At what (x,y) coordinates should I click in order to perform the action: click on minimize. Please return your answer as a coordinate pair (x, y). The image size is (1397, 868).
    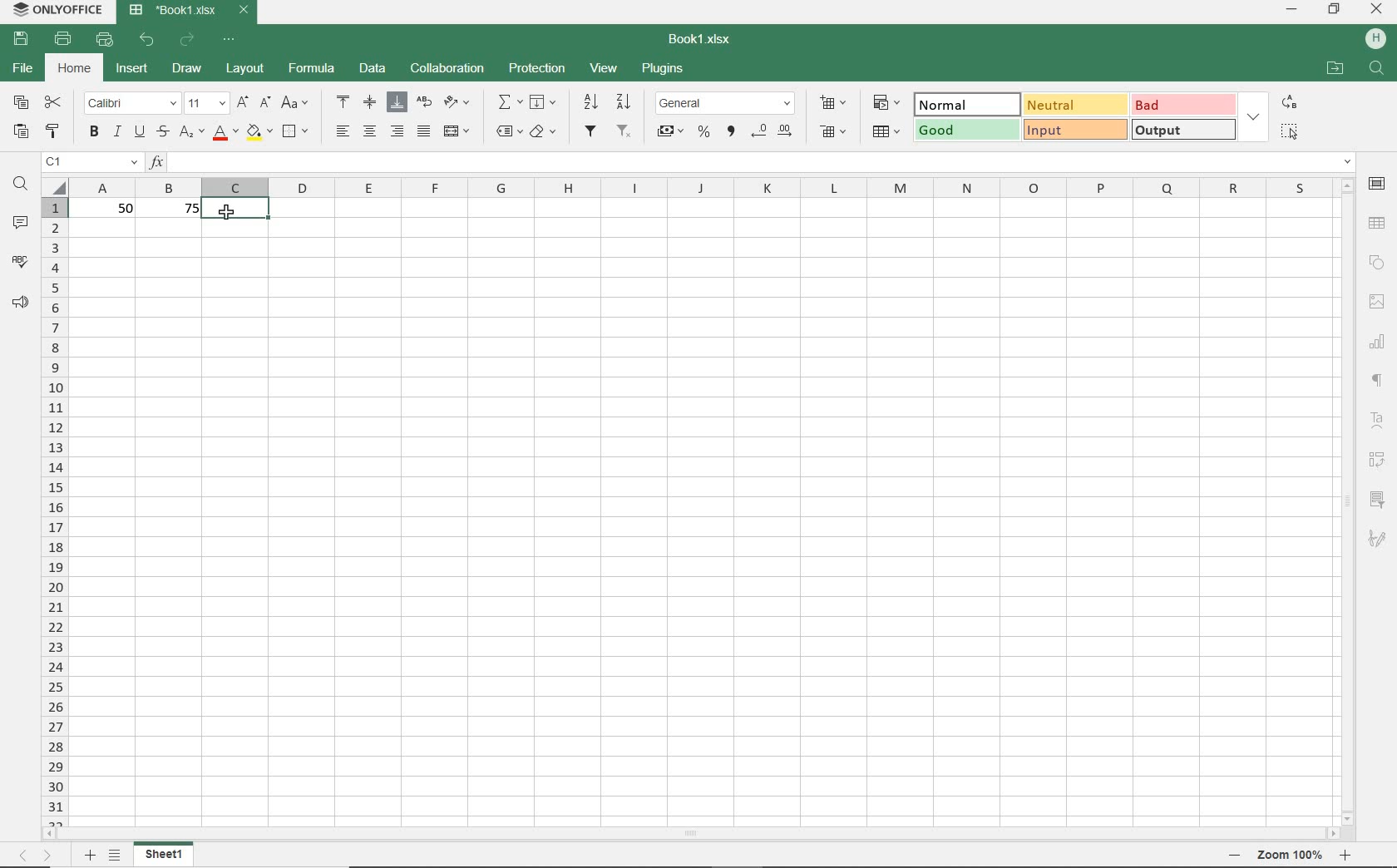
    Looking at the image, I should click on (1293, 11).